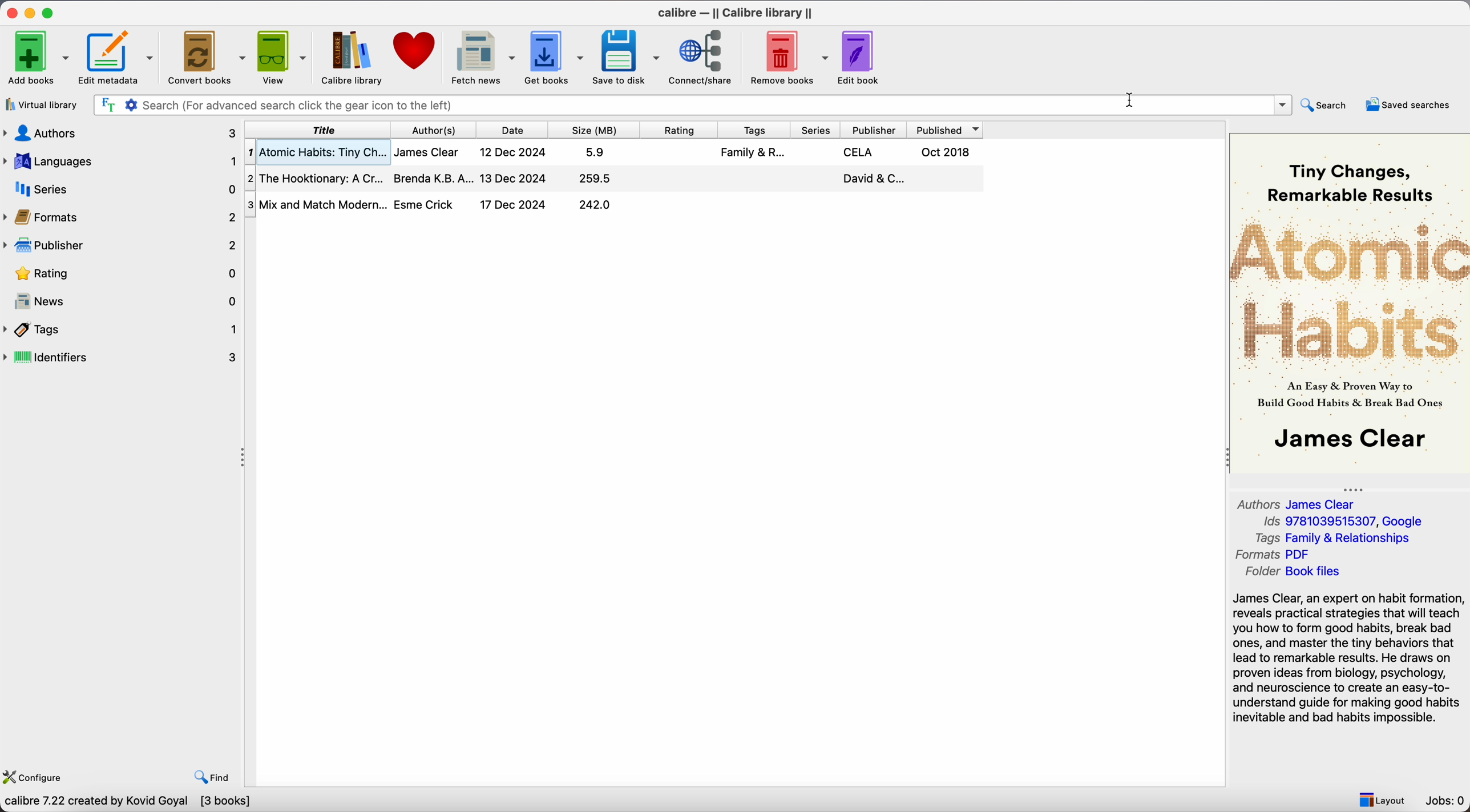 Image resolution: width=1470 pixels, height=812 pixels. Describe the element at coordinates (750, 130) in the screenshot. I see `tags` at that location.